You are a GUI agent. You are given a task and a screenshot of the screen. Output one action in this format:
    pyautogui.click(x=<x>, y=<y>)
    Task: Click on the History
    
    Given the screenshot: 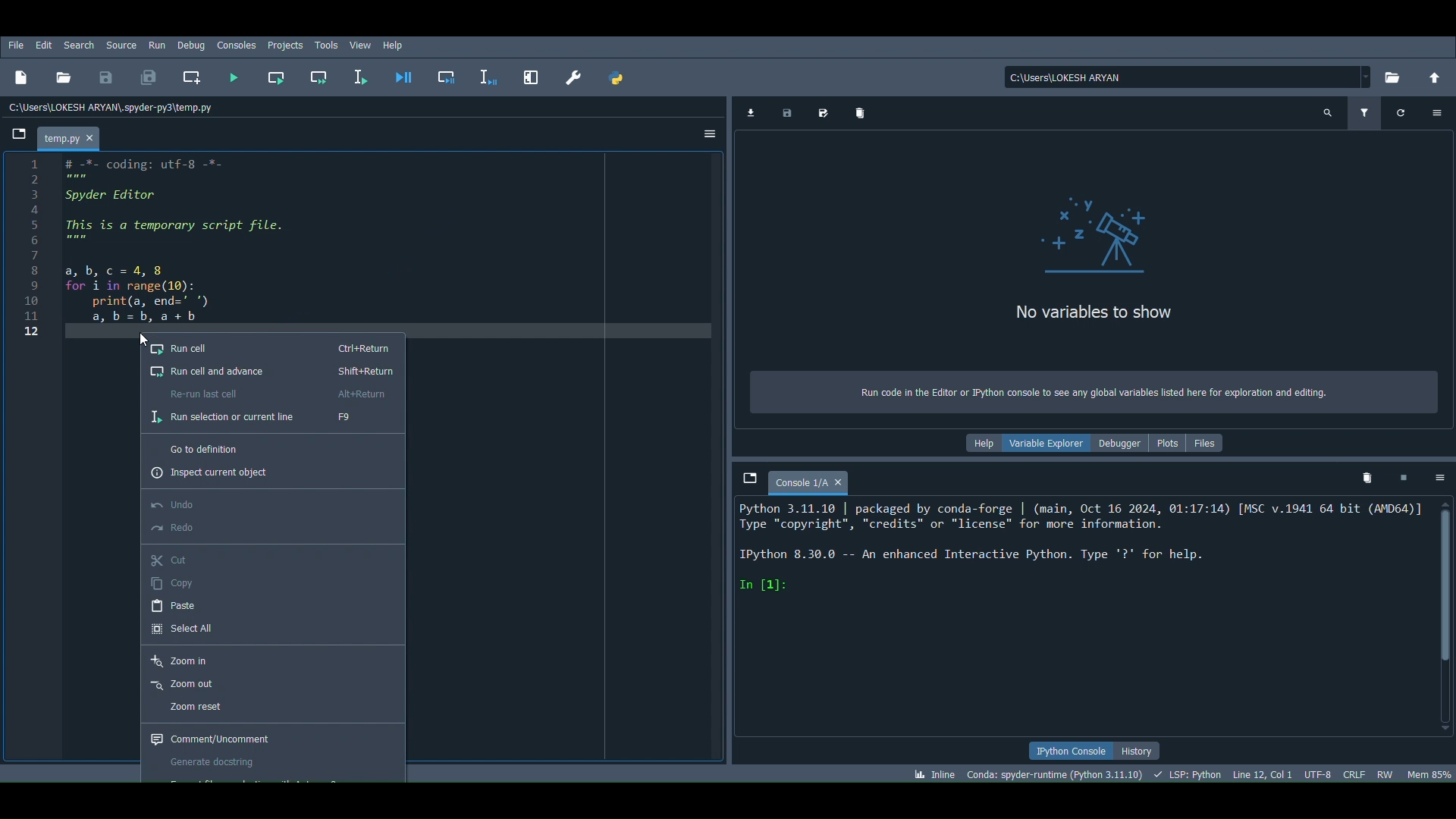 What is the action you would take?
    pyautogui.click(x=1138, y=751)
    